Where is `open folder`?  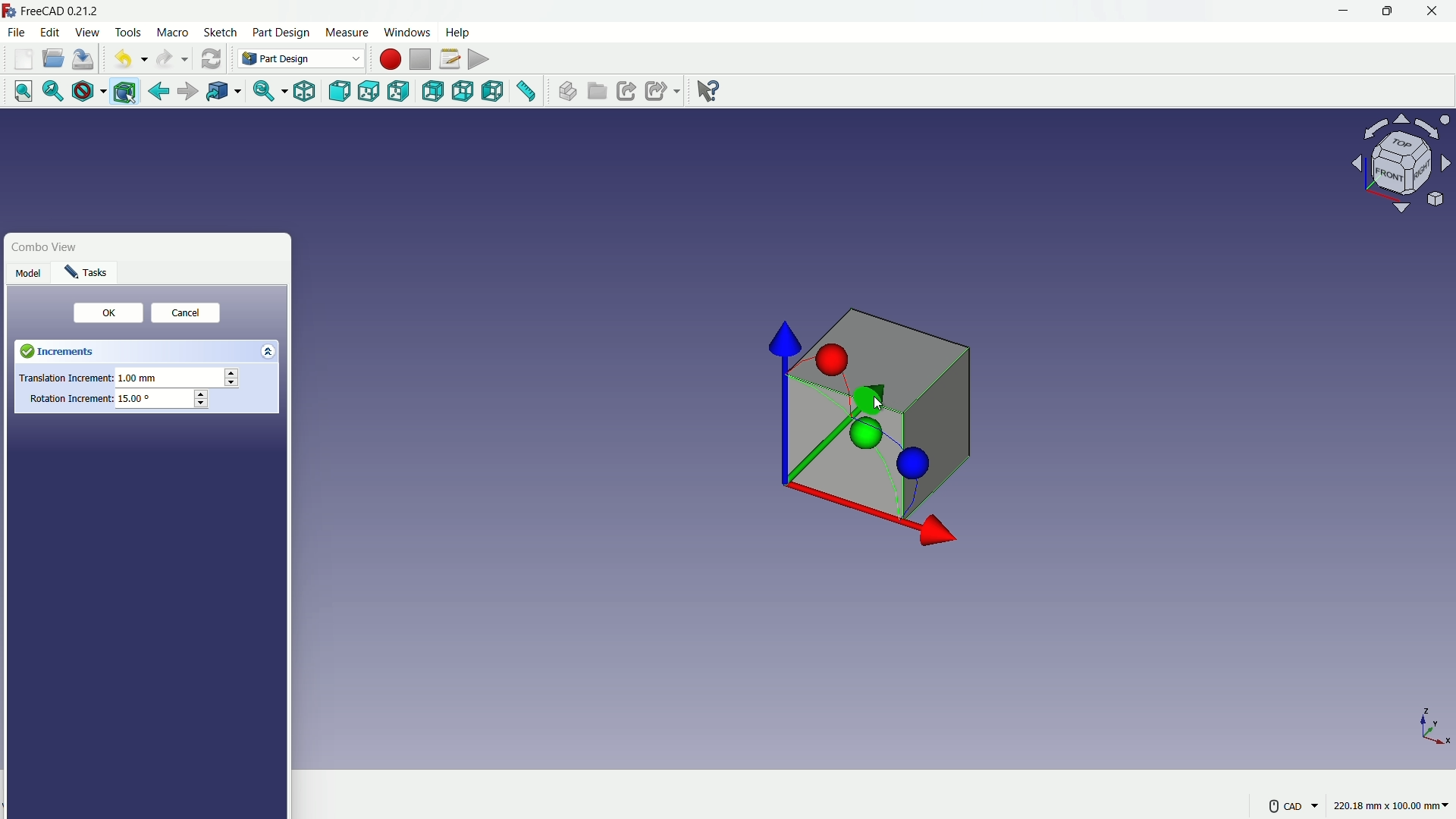 open folder is located at coordinates (53, 59).